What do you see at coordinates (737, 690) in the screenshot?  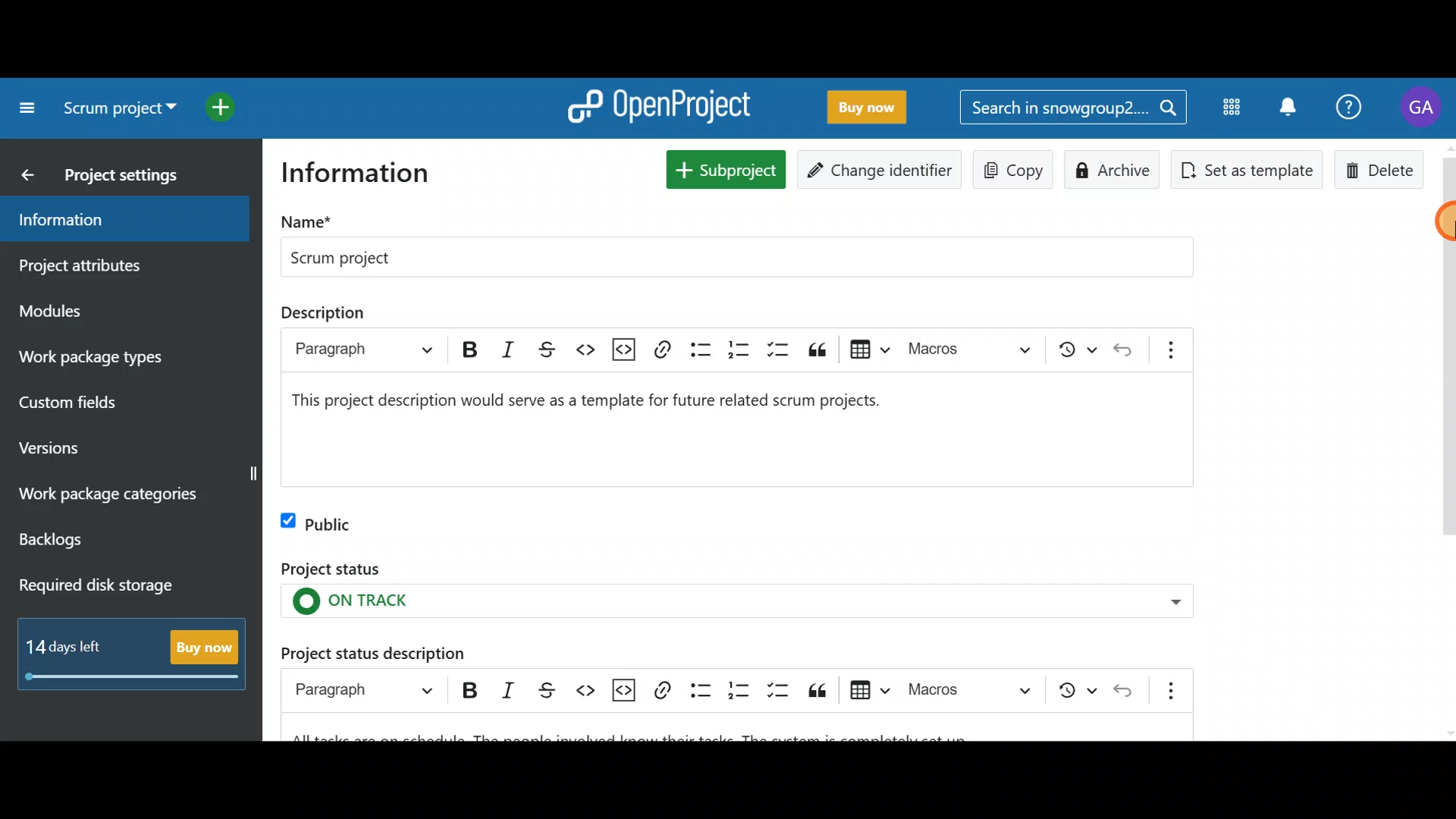 I see `Numbered list` at bounding box center [737, 690].